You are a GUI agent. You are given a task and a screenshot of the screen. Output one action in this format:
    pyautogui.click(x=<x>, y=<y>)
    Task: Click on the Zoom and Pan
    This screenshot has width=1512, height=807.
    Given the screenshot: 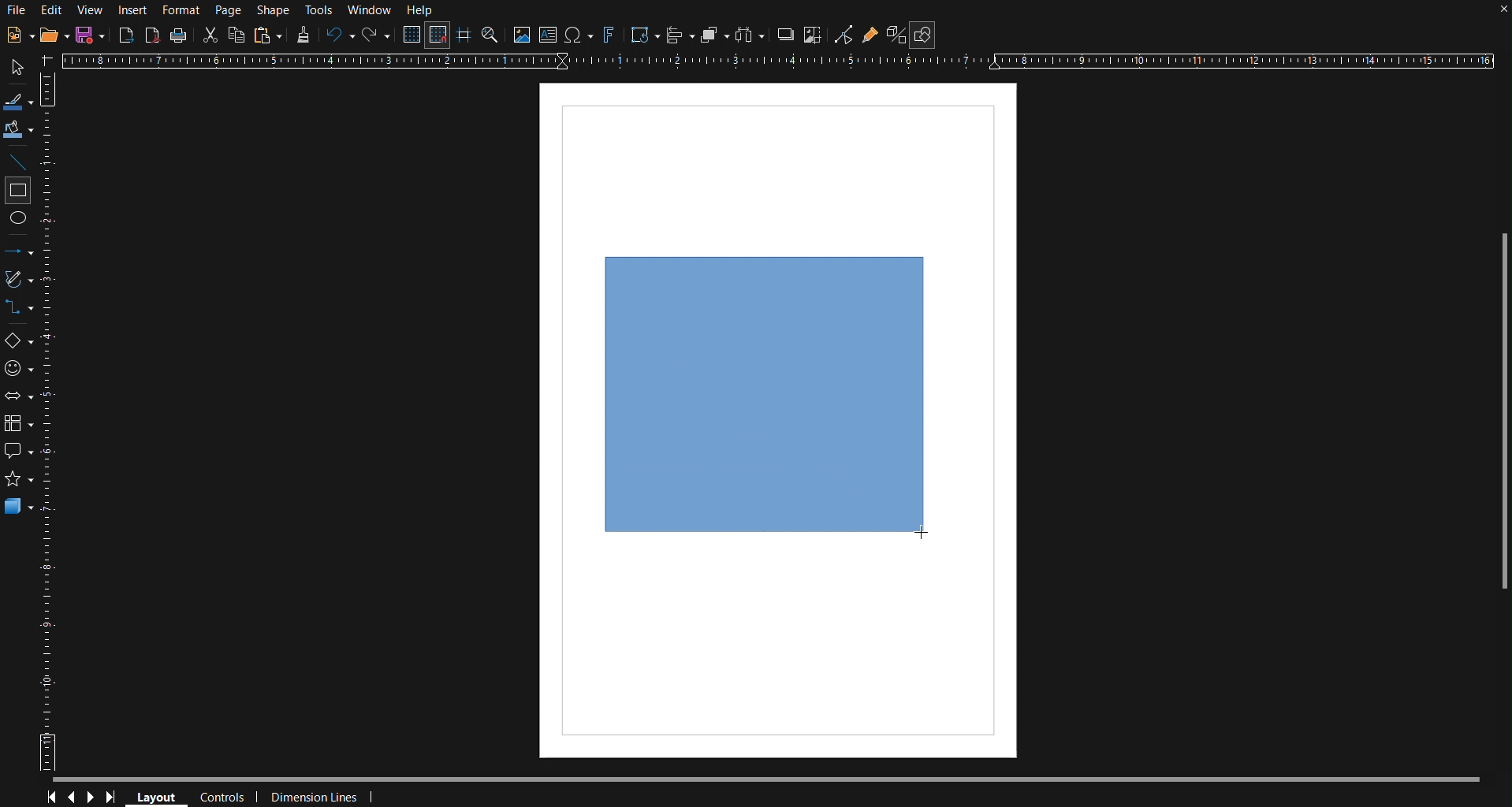 What is the action you would take?
    pyautogui.click(x=490, y=34)
    